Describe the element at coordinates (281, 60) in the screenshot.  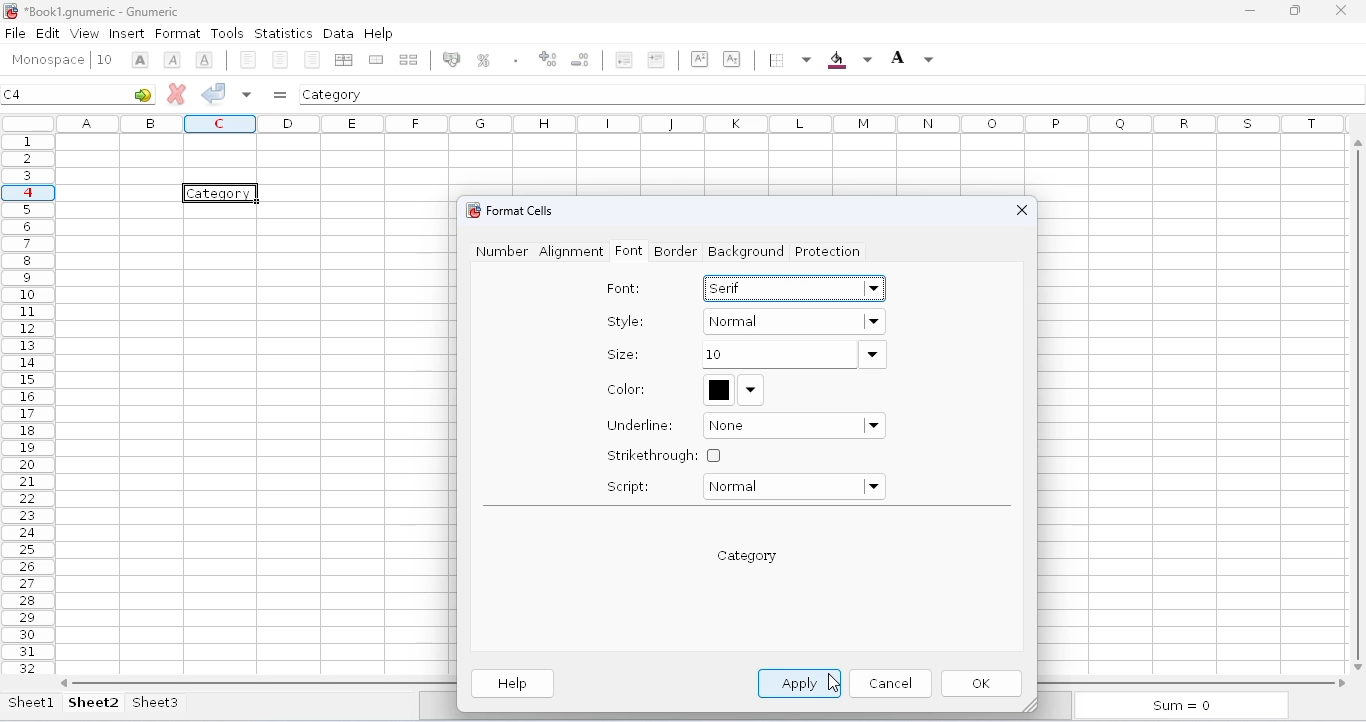
I see `center horizontally` at that location.